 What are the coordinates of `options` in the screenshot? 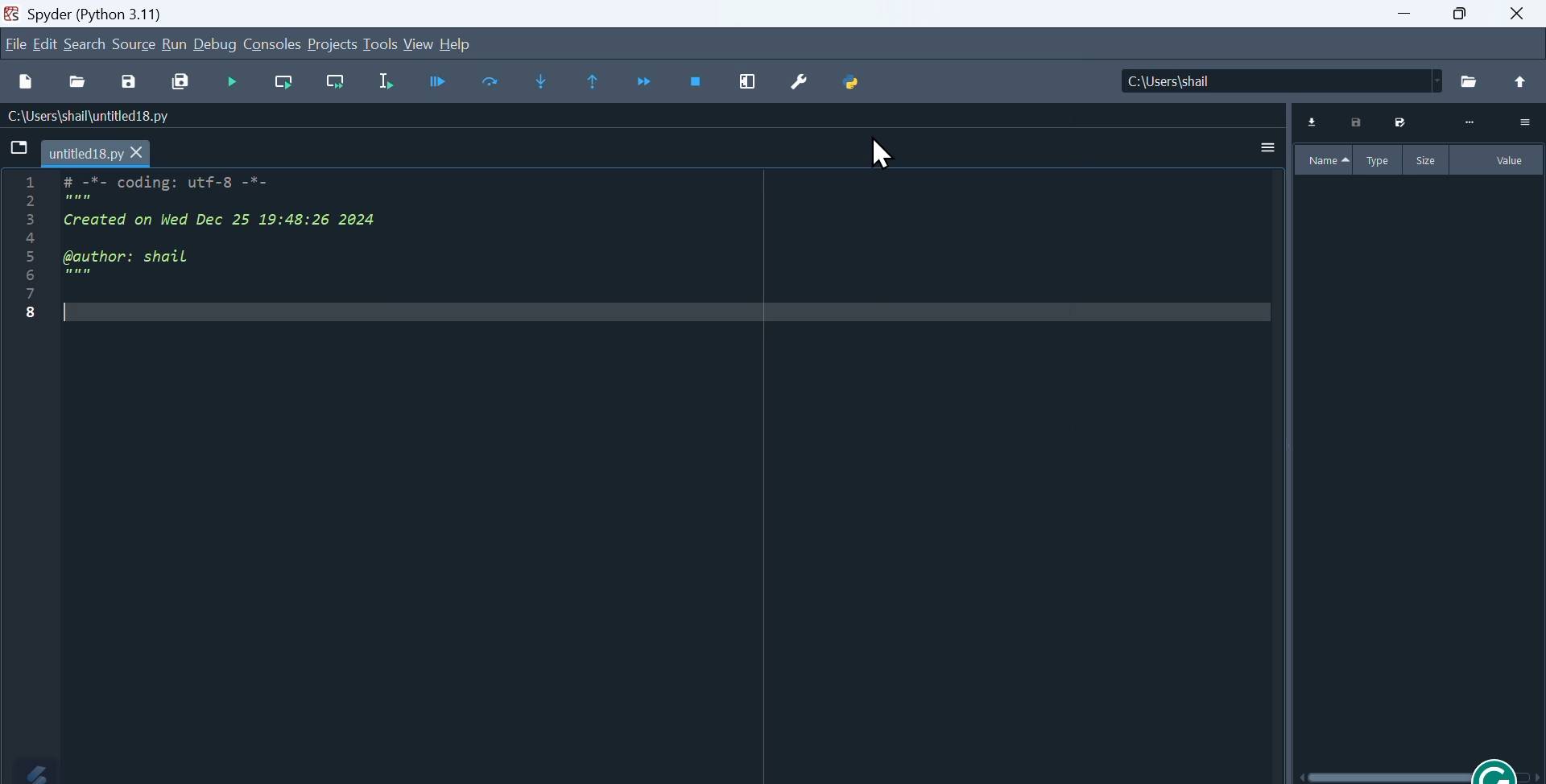 It's located at (1468, 122).